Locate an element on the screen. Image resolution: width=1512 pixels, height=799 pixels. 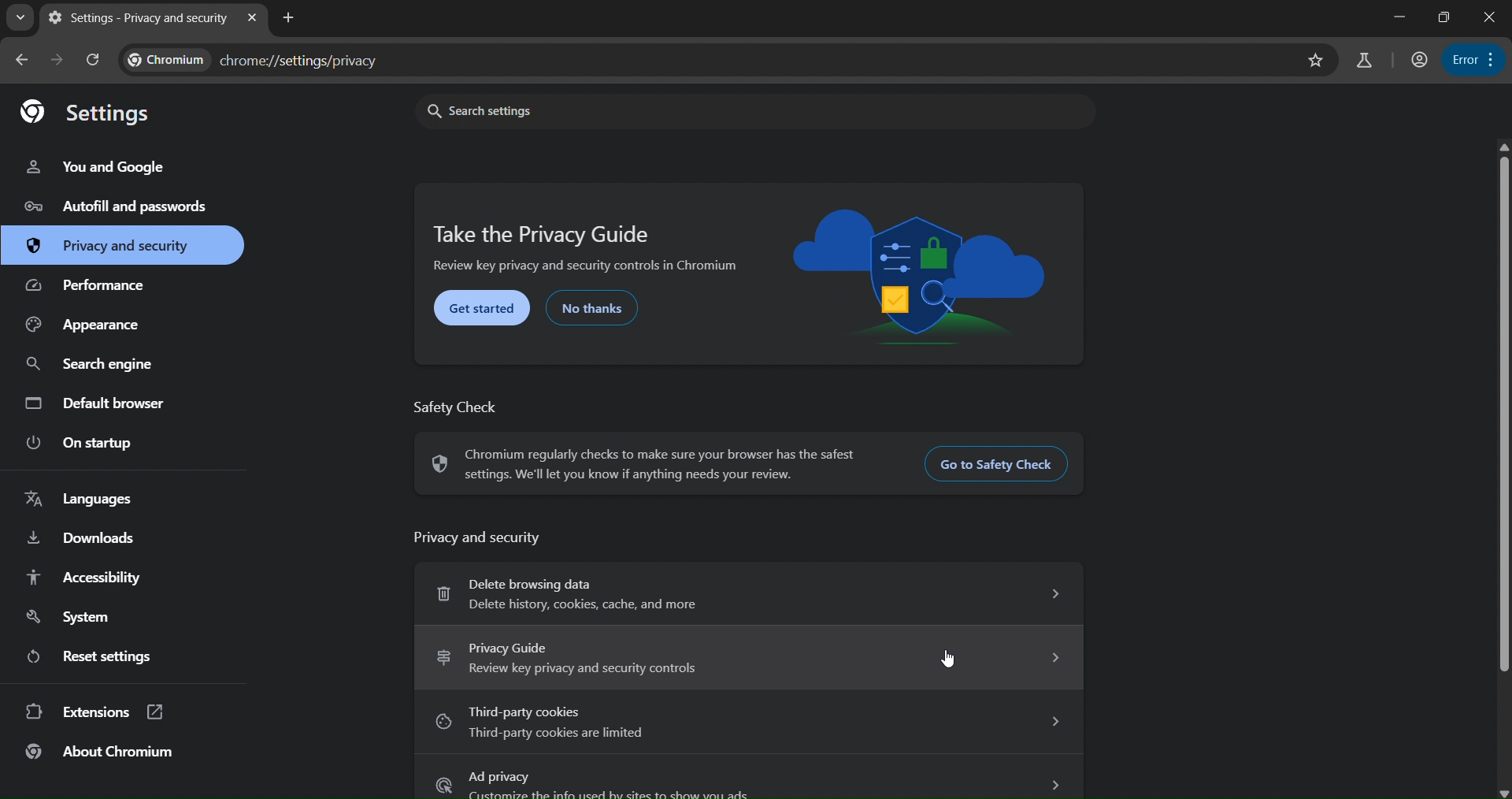
current tab is located at coordinates (140, 20).